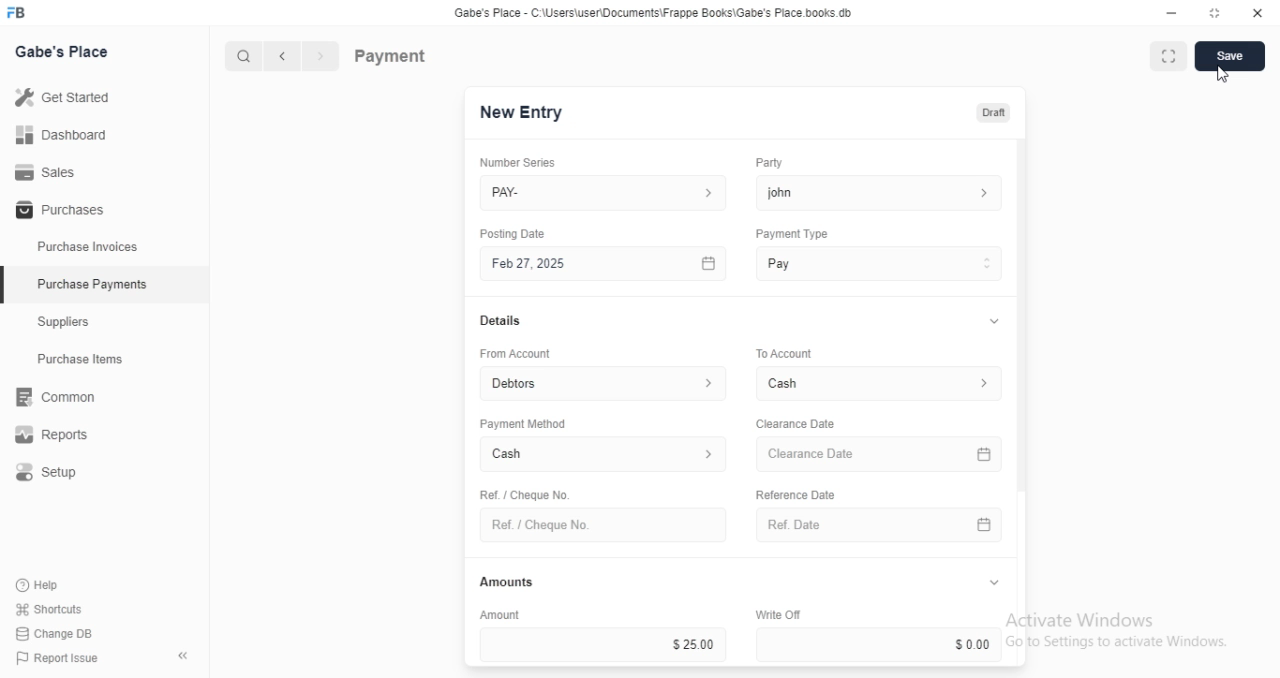  I want to click on Party, so click(767, 163).